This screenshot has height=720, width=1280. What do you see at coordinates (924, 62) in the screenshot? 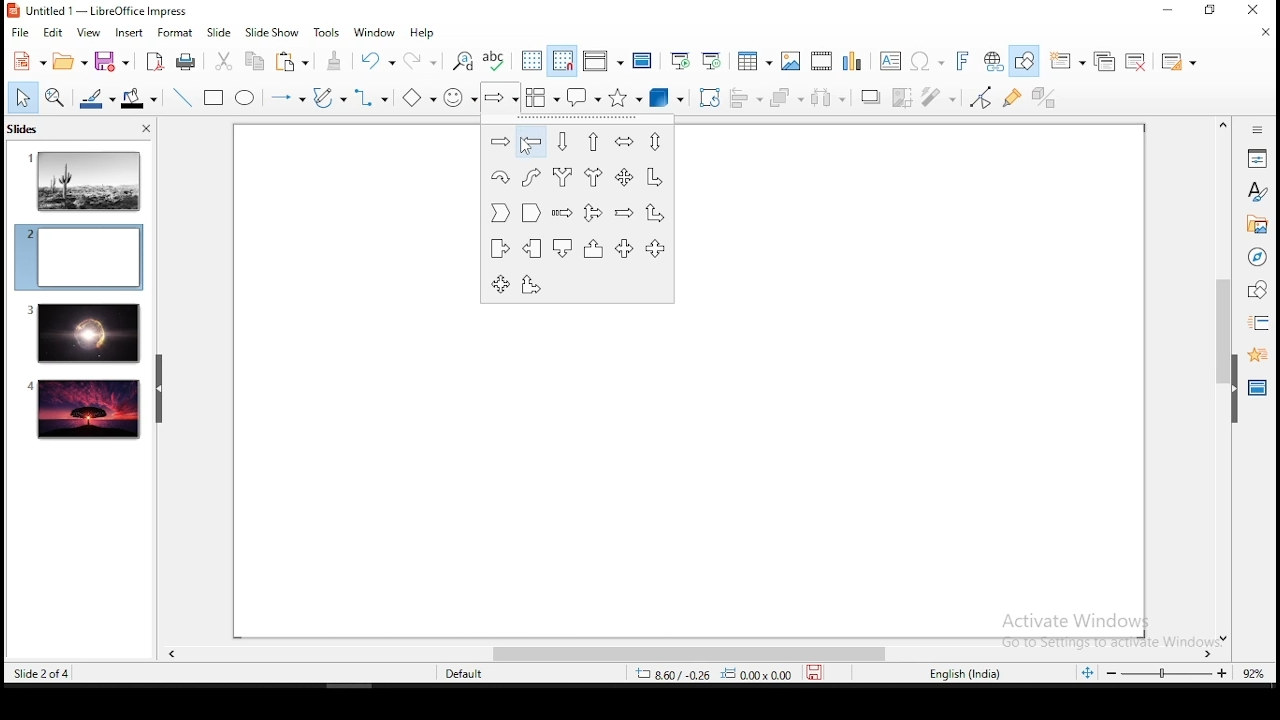
I see `special characters` at bounding box center [924, 62].